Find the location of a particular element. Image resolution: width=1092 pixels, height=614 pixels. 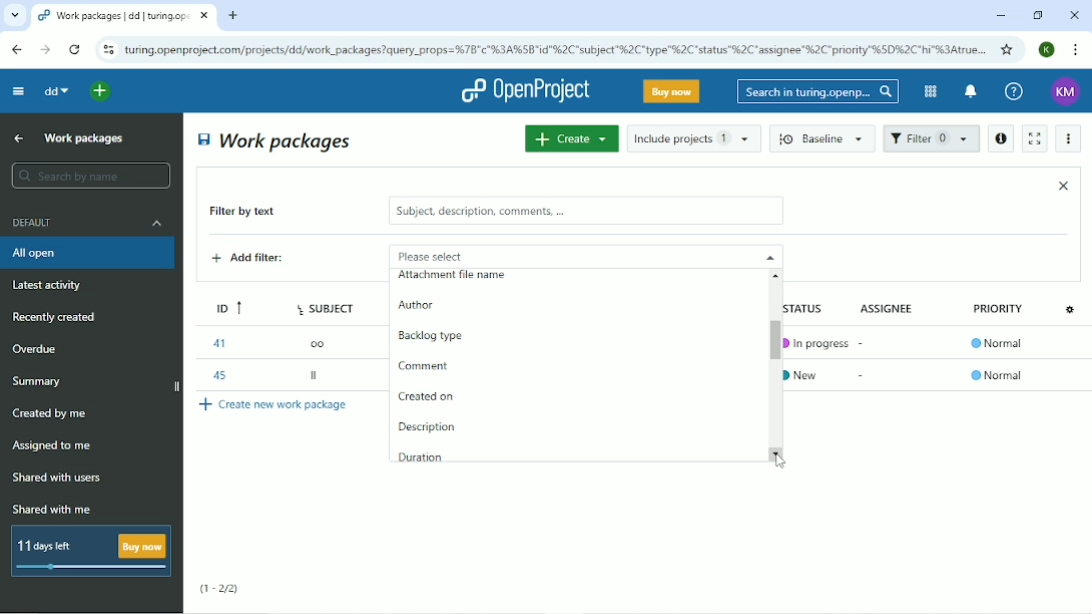

dd is located at coordinates (55, 91).